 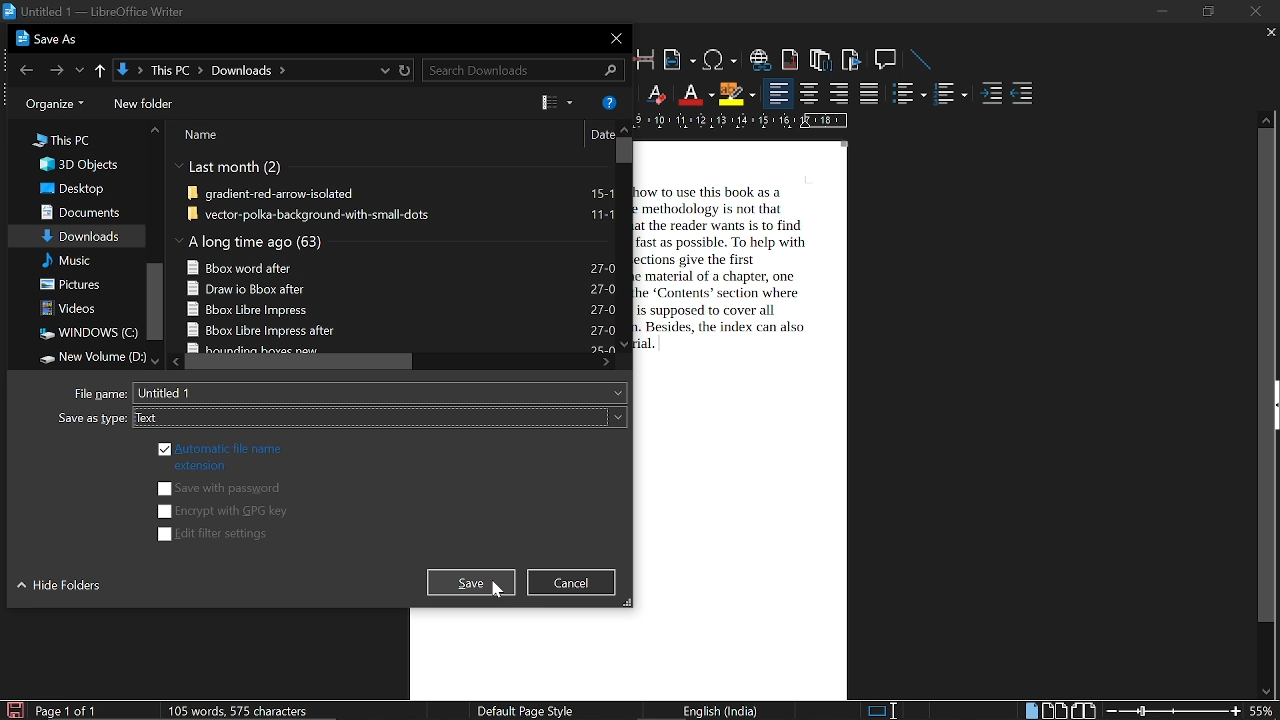 I want to click on move down, so click(x=625, y=343).